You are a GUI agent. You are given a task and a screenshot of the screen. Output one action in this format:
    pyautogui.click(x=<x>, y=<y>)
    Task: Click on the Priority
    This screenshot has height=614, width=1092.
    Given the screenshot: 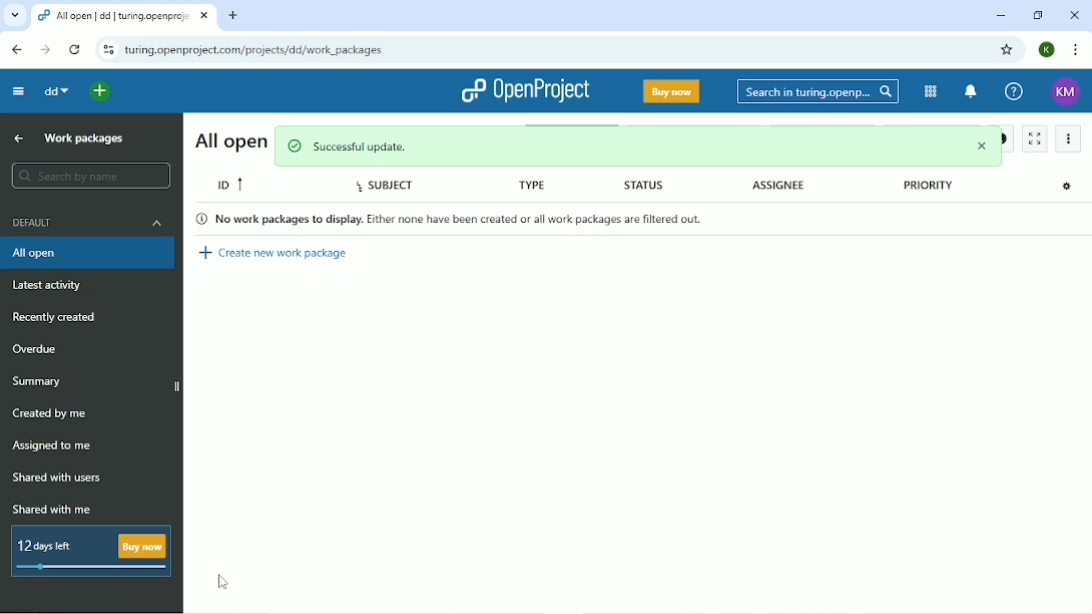 What is the action you would take?
    pyautogui.click(x=922, y=188)
    